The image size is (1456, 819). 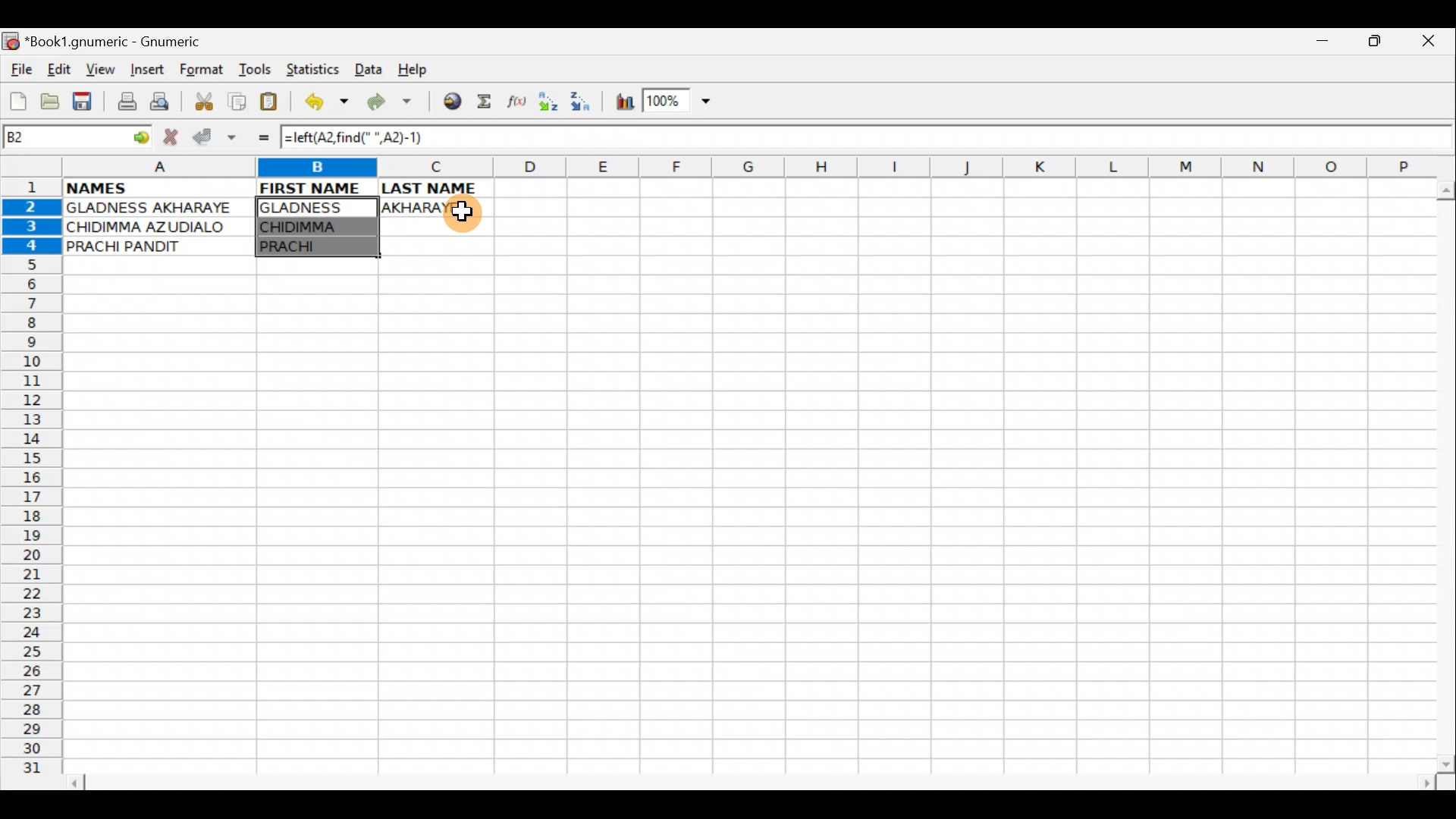 What do you see at coordinates (553, 105) in the screenshot?
I see `Sort Ascending order` at bounding box center [553, 105].